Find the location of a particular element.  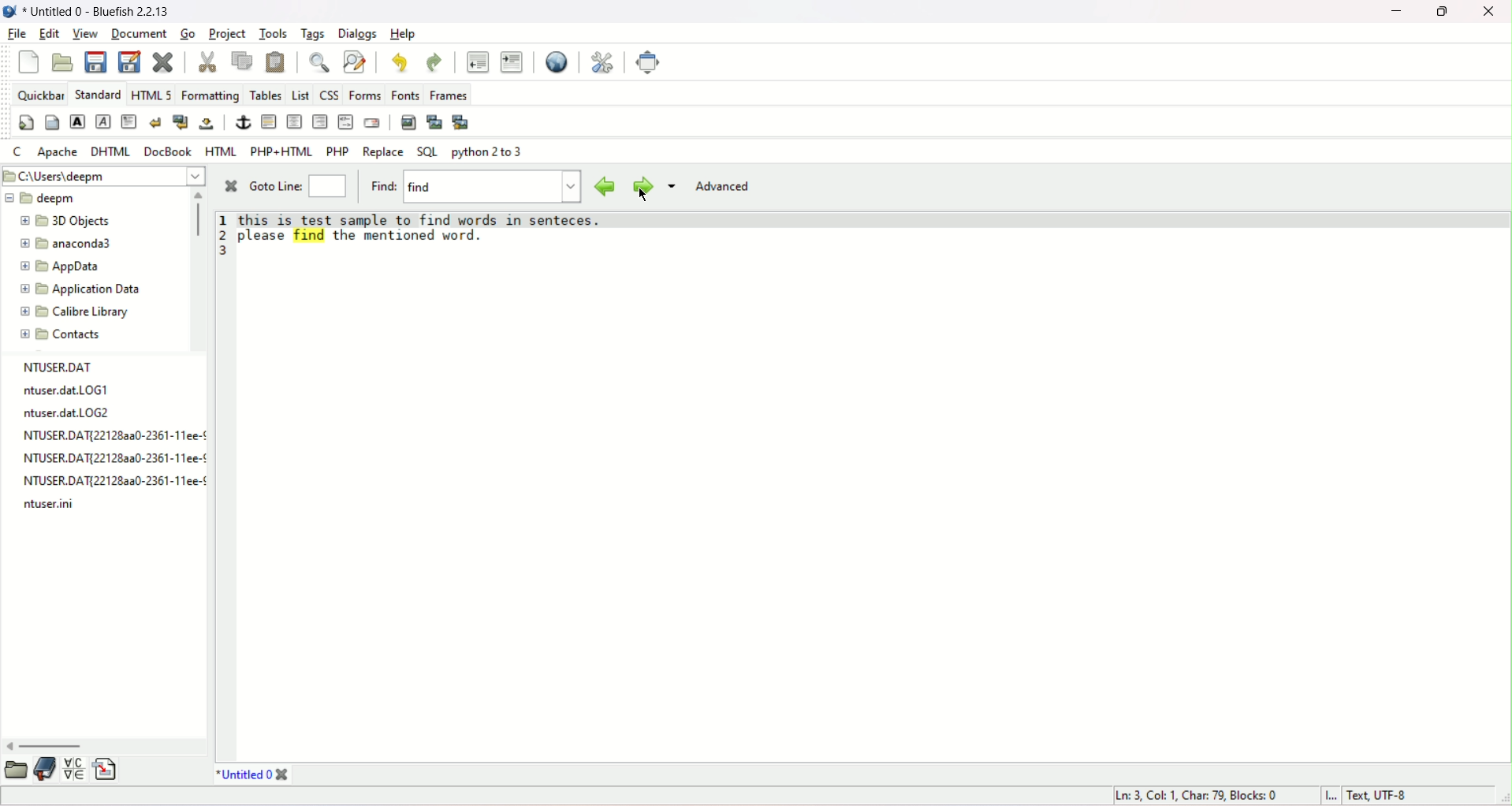

paste is located at coordinates (277, 62).